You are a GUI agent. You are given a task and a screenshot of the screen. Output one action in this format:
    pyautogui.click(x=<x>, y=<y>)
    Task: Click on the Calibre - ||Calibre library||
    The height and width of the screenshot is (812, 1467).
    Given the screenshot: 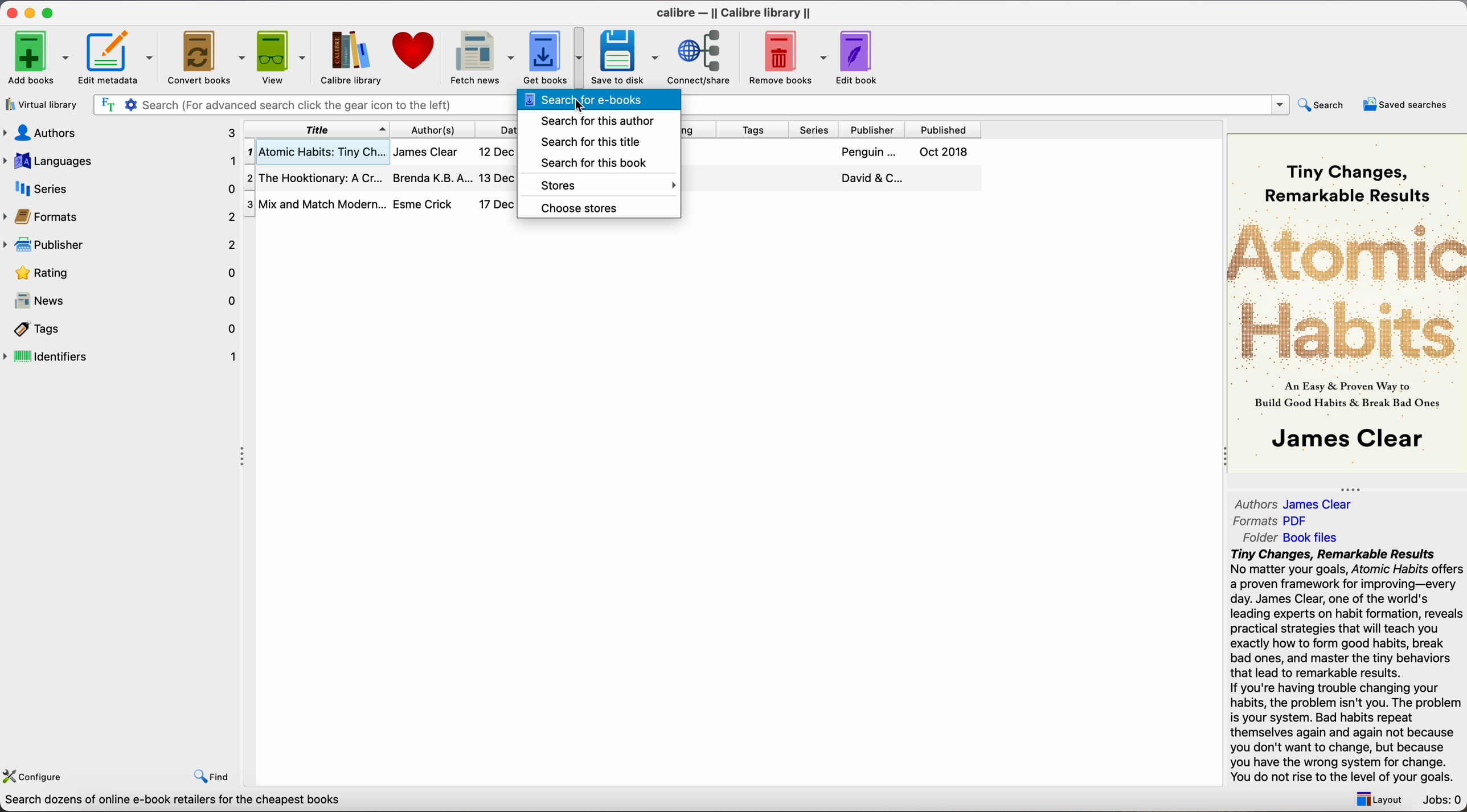 What is the action you would take?
    pyautogui.click(x=733, y=13)
    